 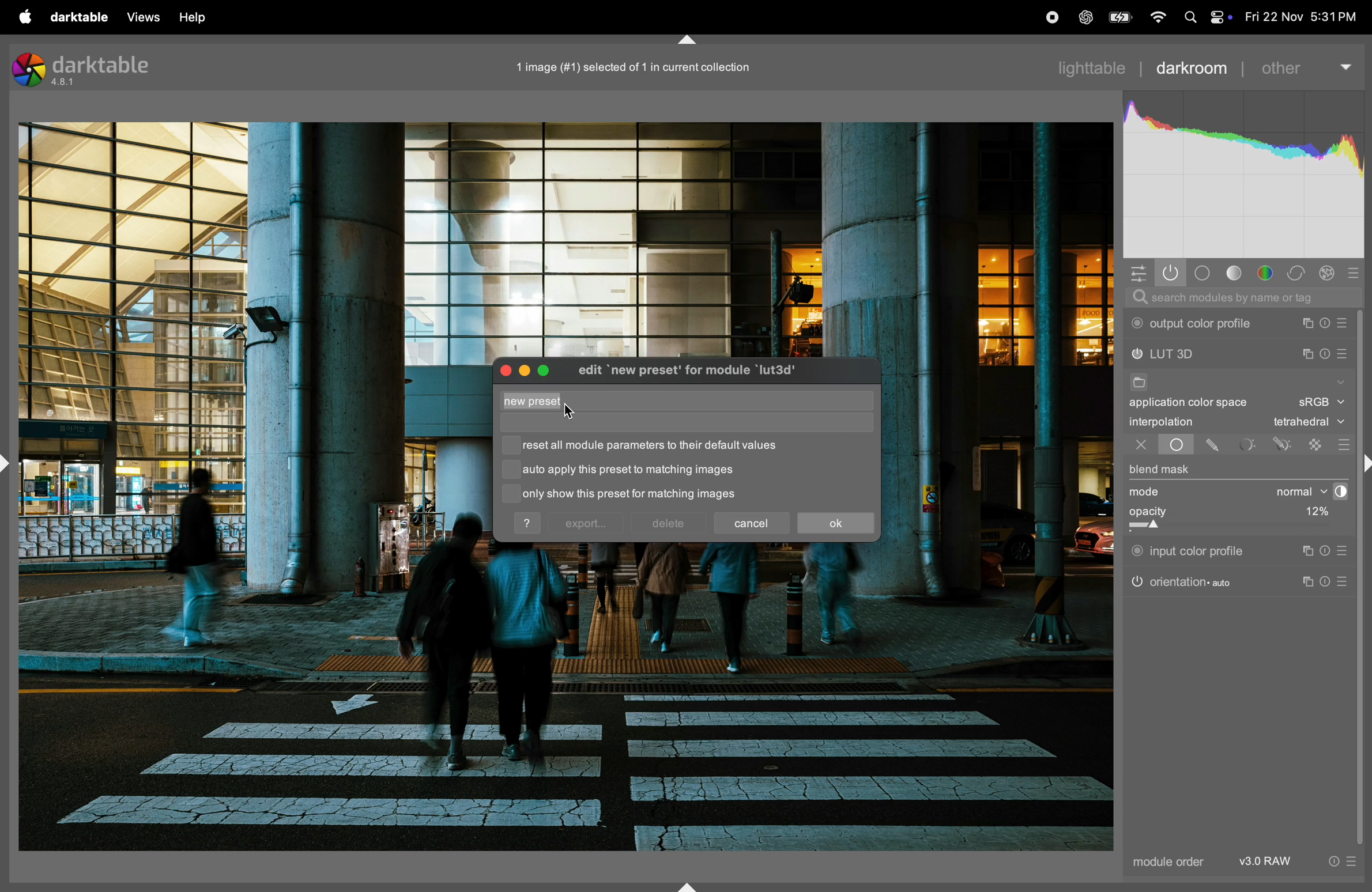 What do you see at coordinates (1309, 423) in the screenshot?
I see `tetrahedral` at bounding box center [1309, 423].